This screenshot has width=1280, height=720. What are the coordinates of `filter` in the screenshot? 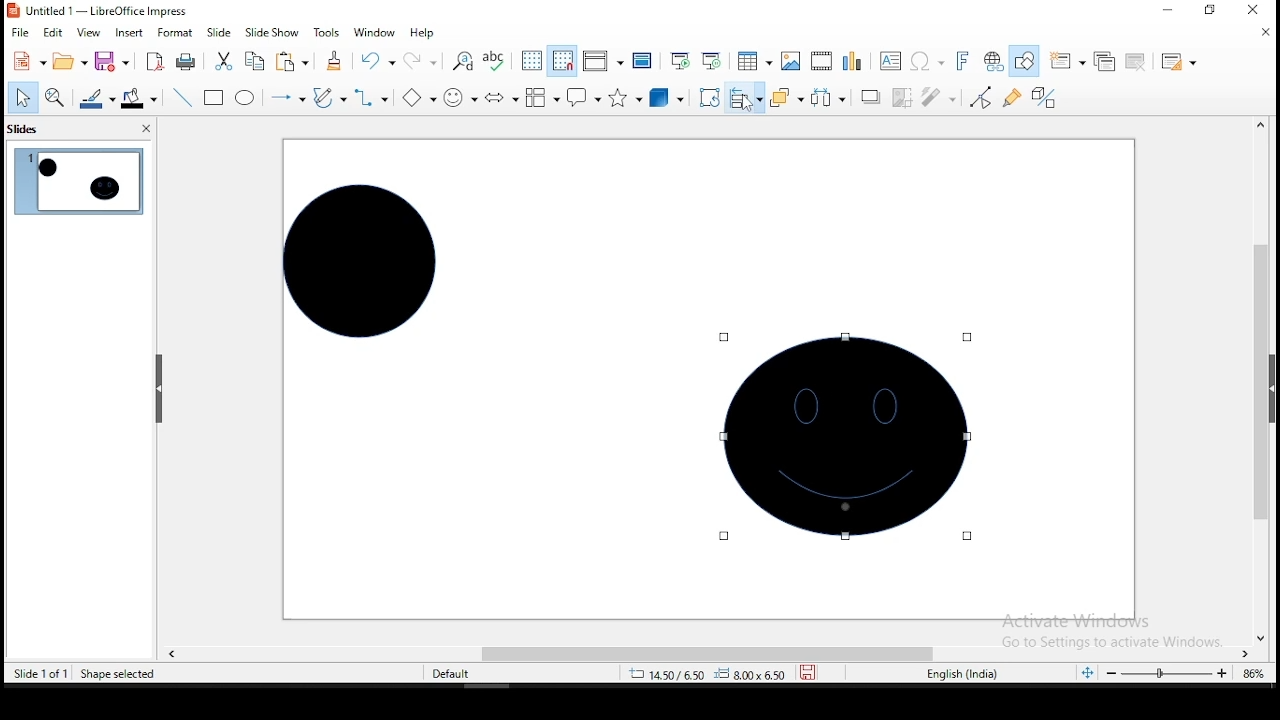 It's located at (937, 98).